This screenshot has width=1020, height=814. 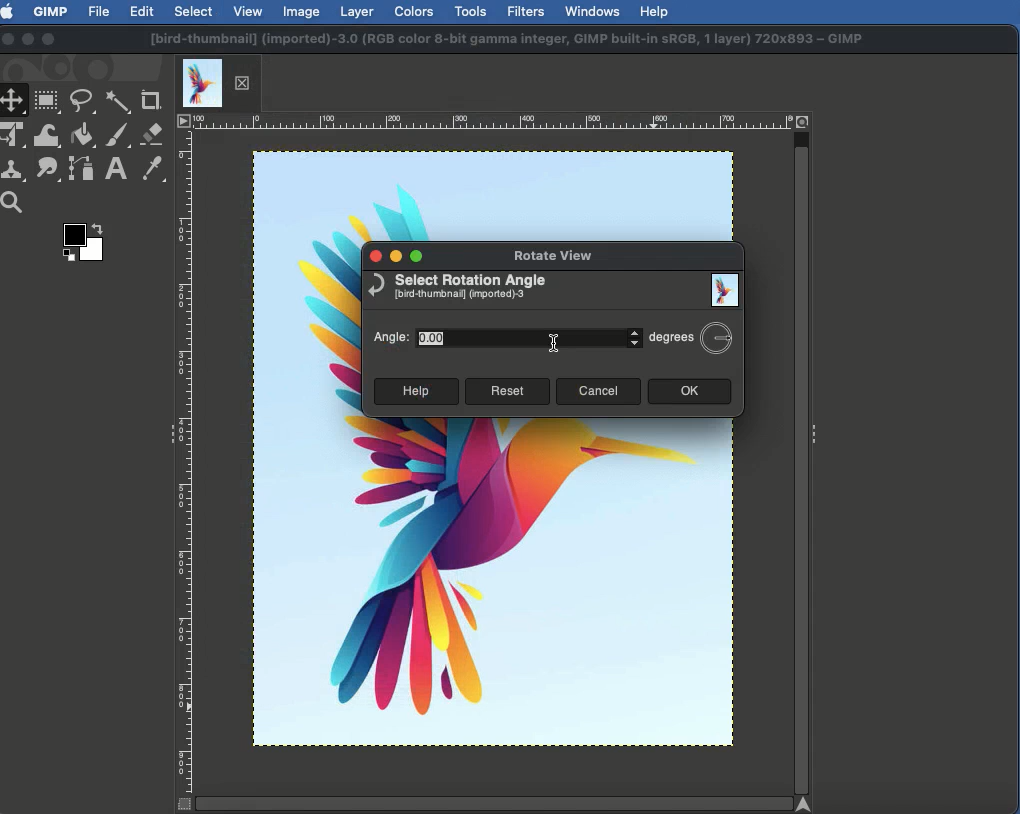 I want to click on Help, so click(x=654, y=10).